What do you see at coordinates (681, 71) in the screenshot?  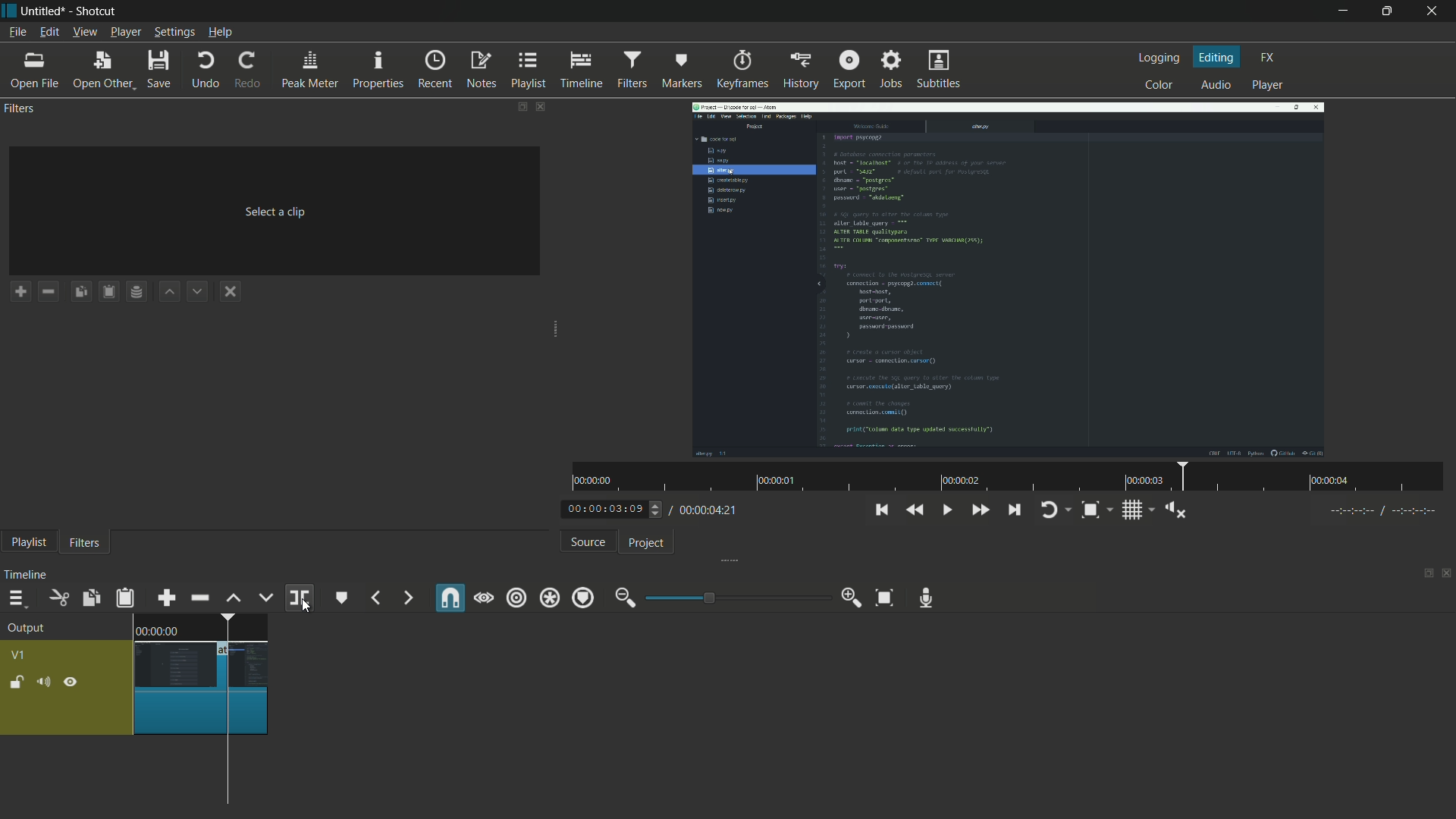 I see `markers` at bounding box center [681, 71].